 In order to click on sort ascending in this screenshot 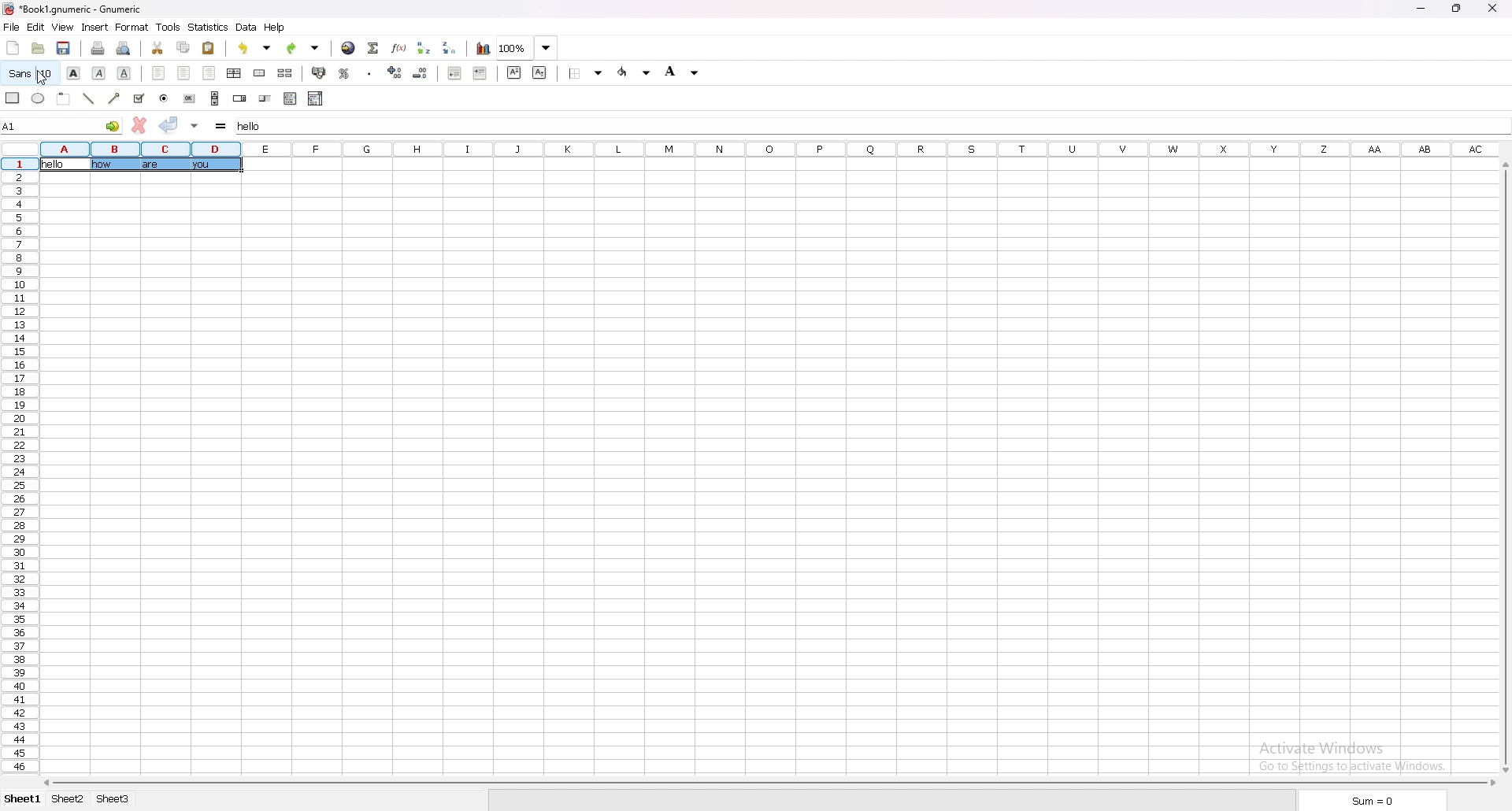, I will do `click(425, 46)`.